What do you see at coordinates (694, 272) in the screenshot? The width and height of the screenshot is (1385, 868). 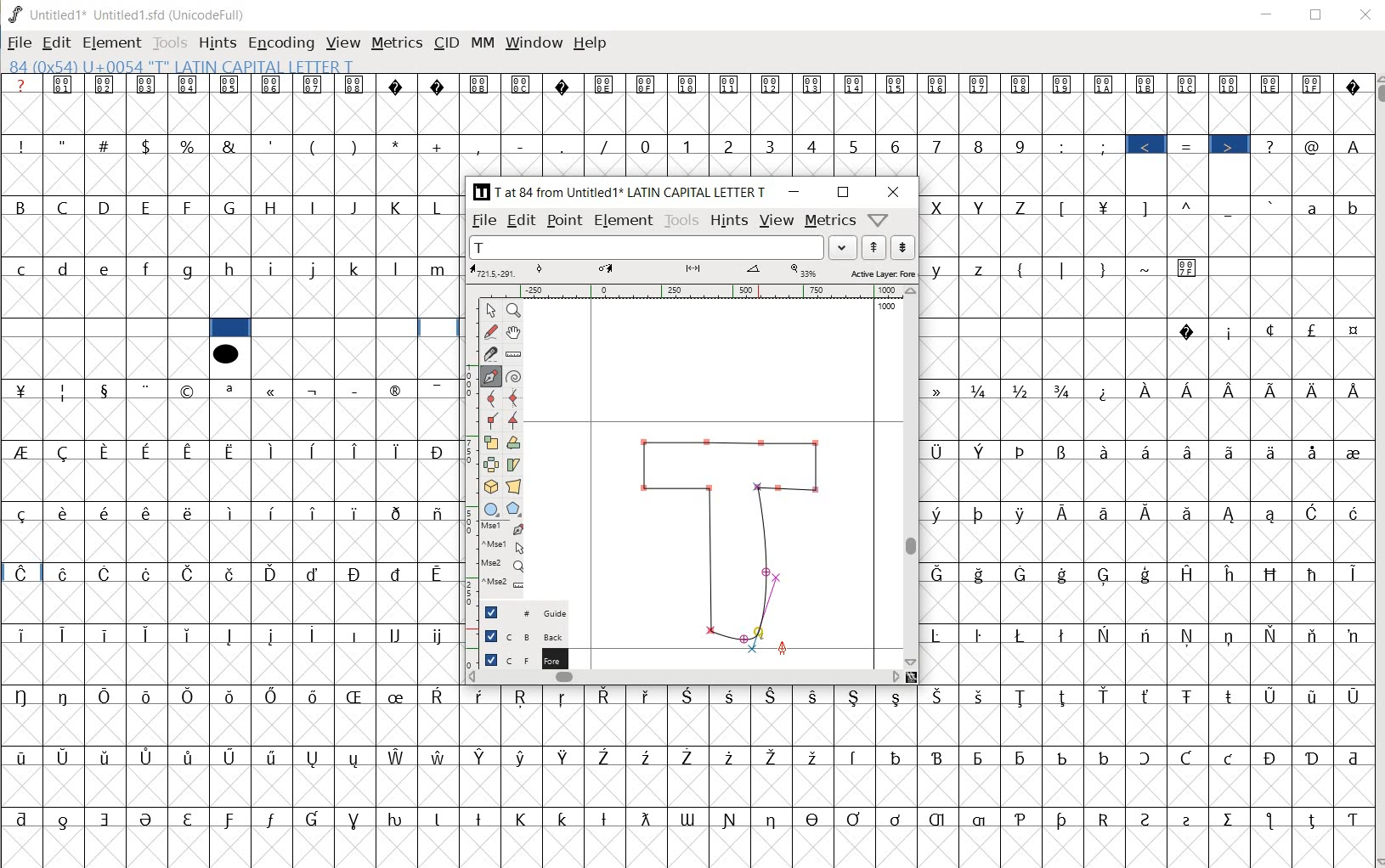 I see `active layer: fore` at bounding box center [694, 272].